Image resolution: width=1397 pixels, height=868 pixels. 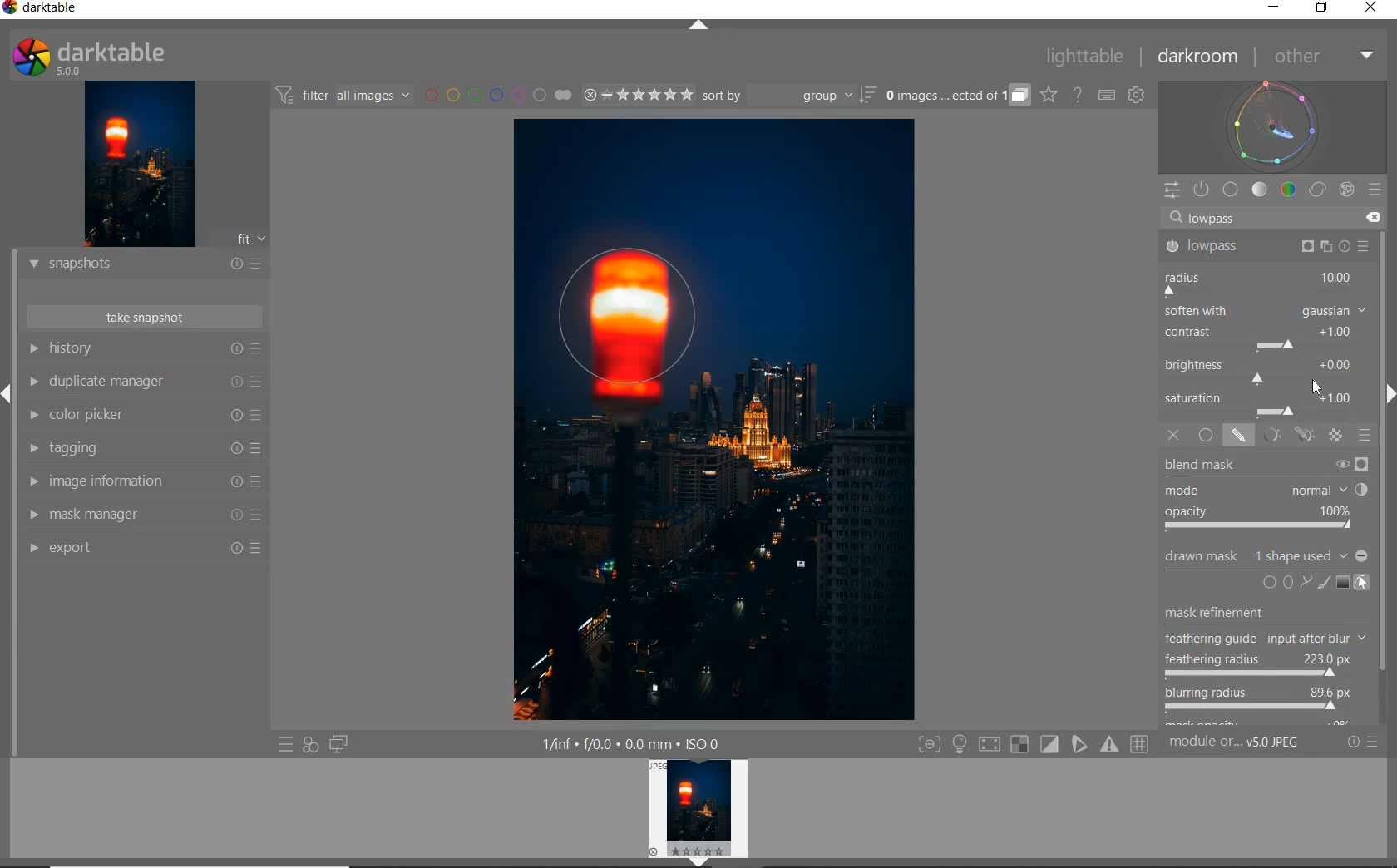 I want to click on FEATHERING RADIUS ADJUSTED, so click(x=1261, y=664).